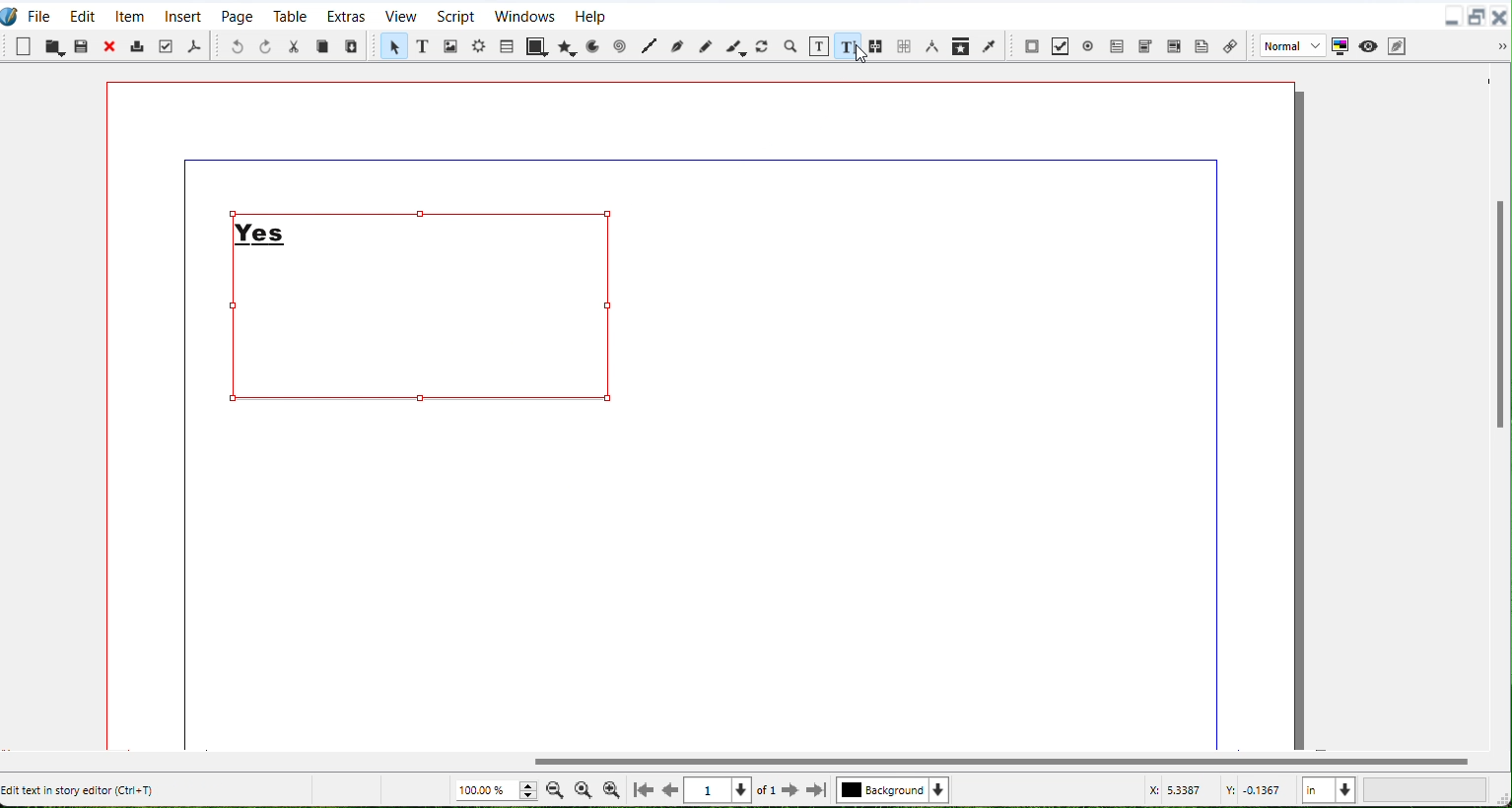  What do you see at coordinates (479, 48) in the screenshot?
I see `Render Frame` at bounding box center [479, 48].